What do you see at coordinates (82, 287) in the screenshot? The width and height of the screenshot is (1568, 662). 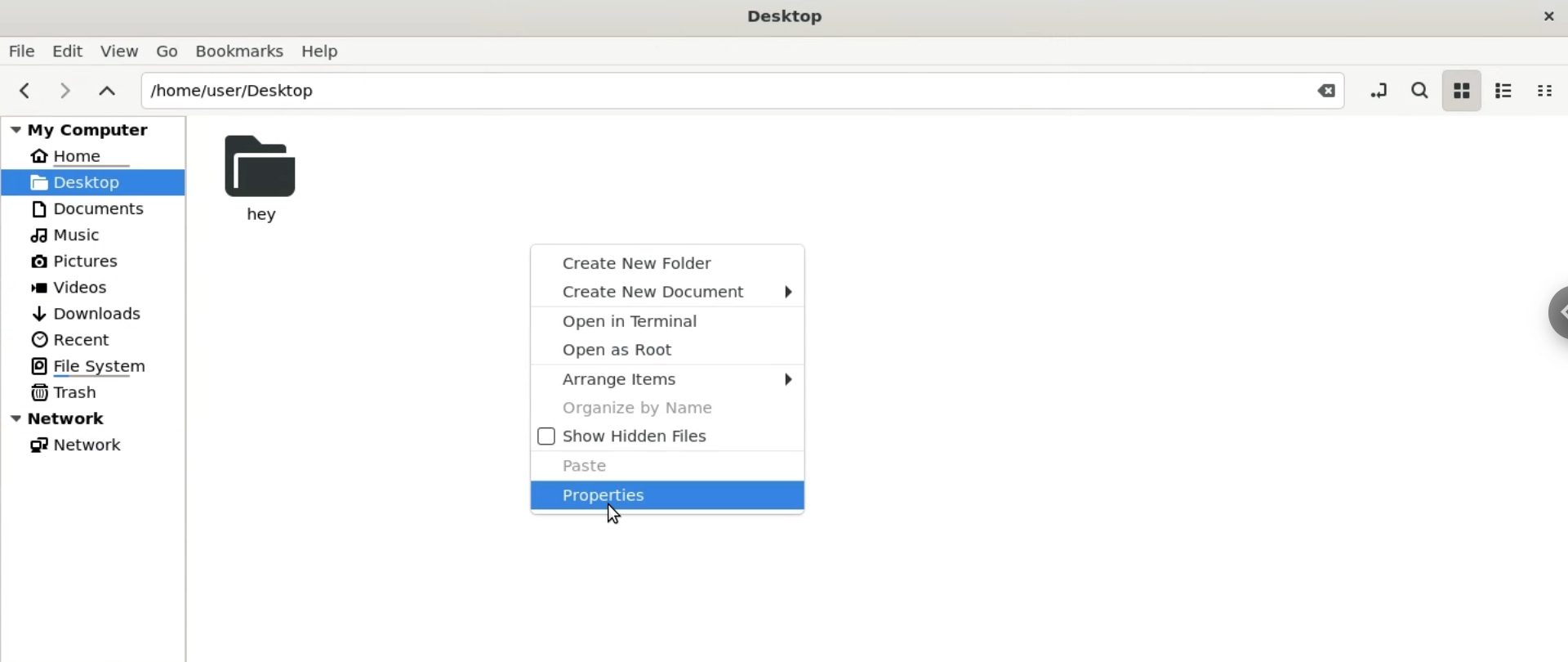 I see `videos` at bounding box center [82, 287].